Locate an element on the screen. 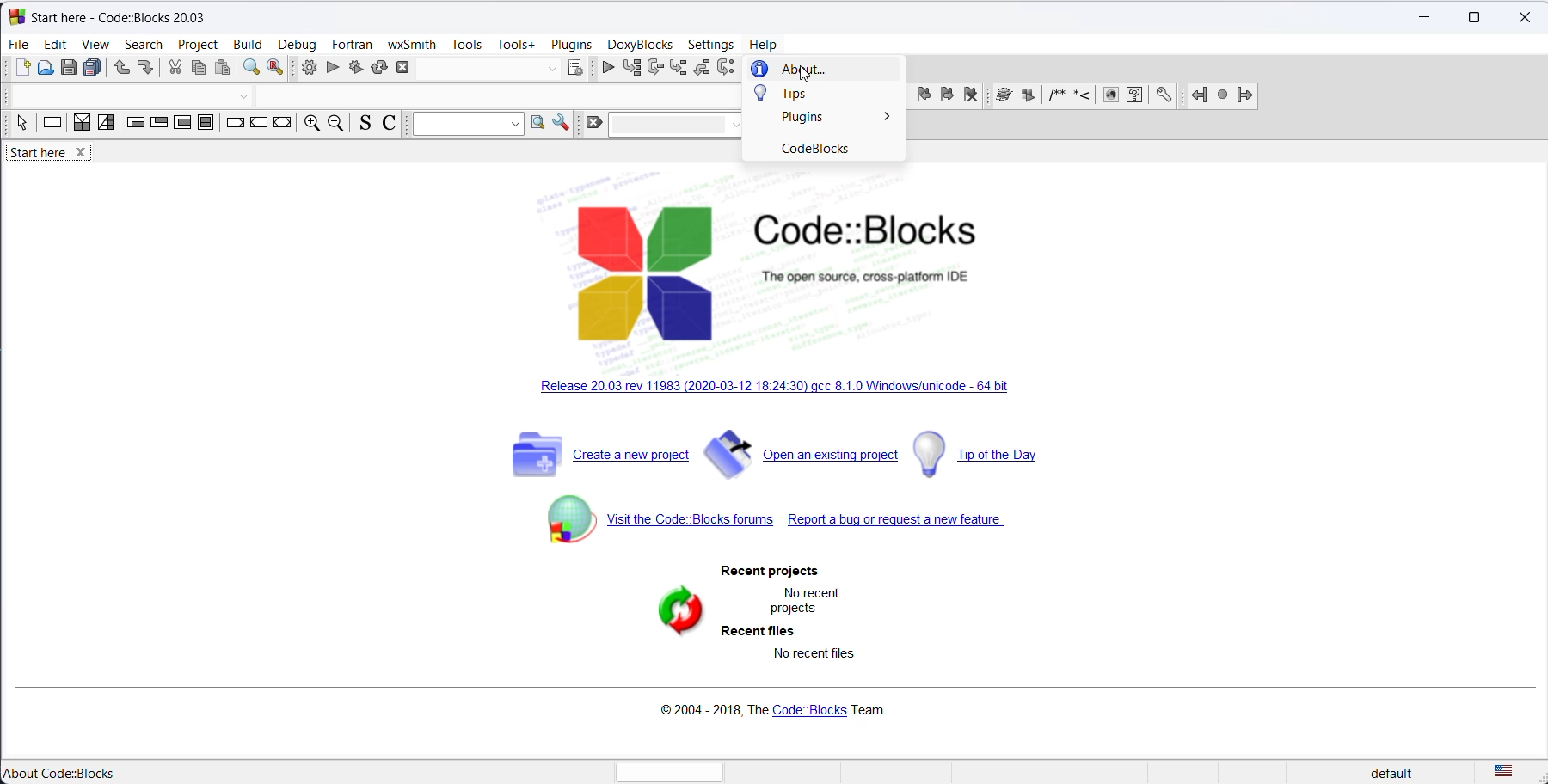  default is located at coordinates (1404, 771).